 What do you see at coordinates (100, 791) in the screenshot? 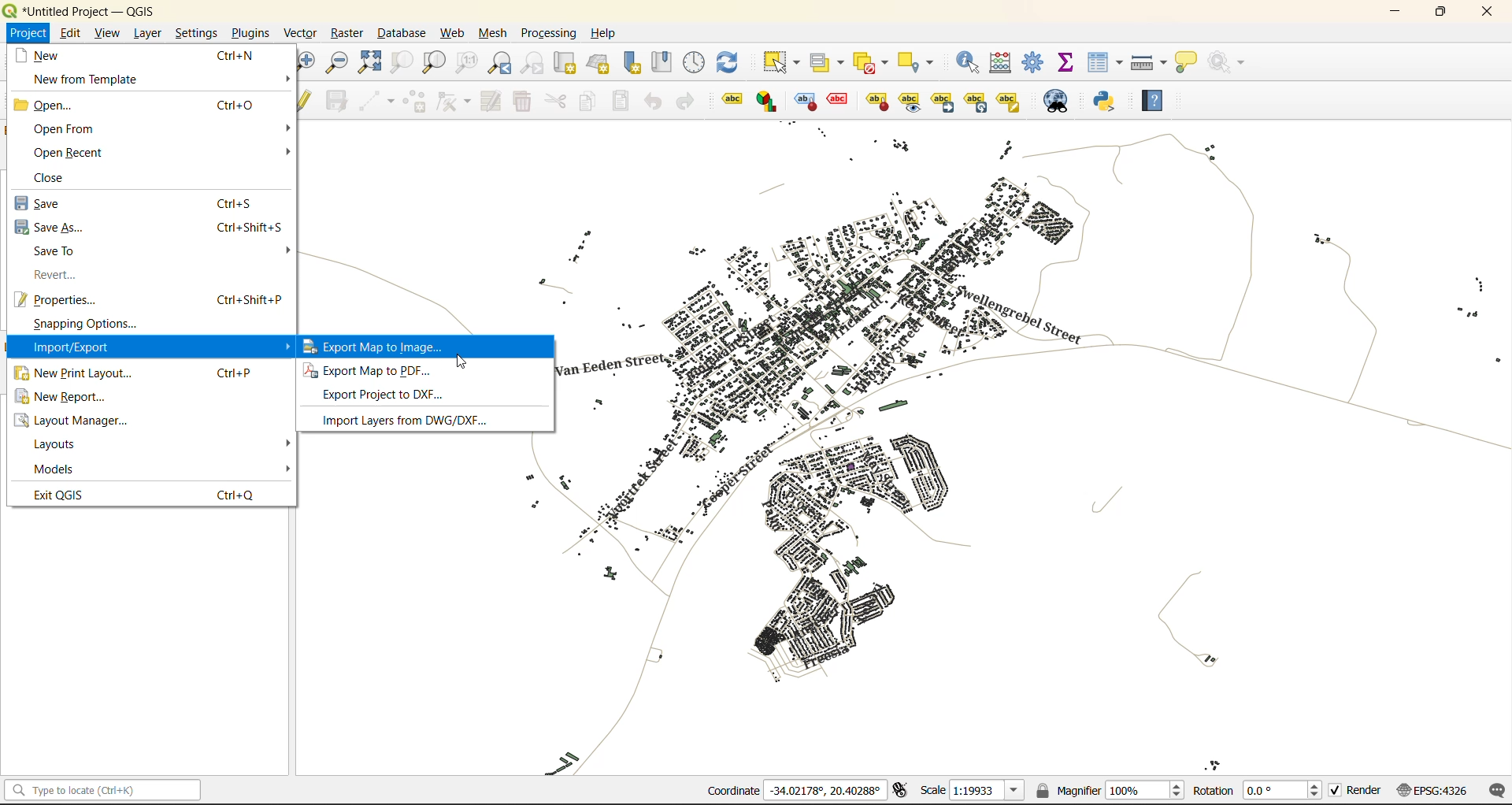
I see `status bar` at bounding box center [100, 791].